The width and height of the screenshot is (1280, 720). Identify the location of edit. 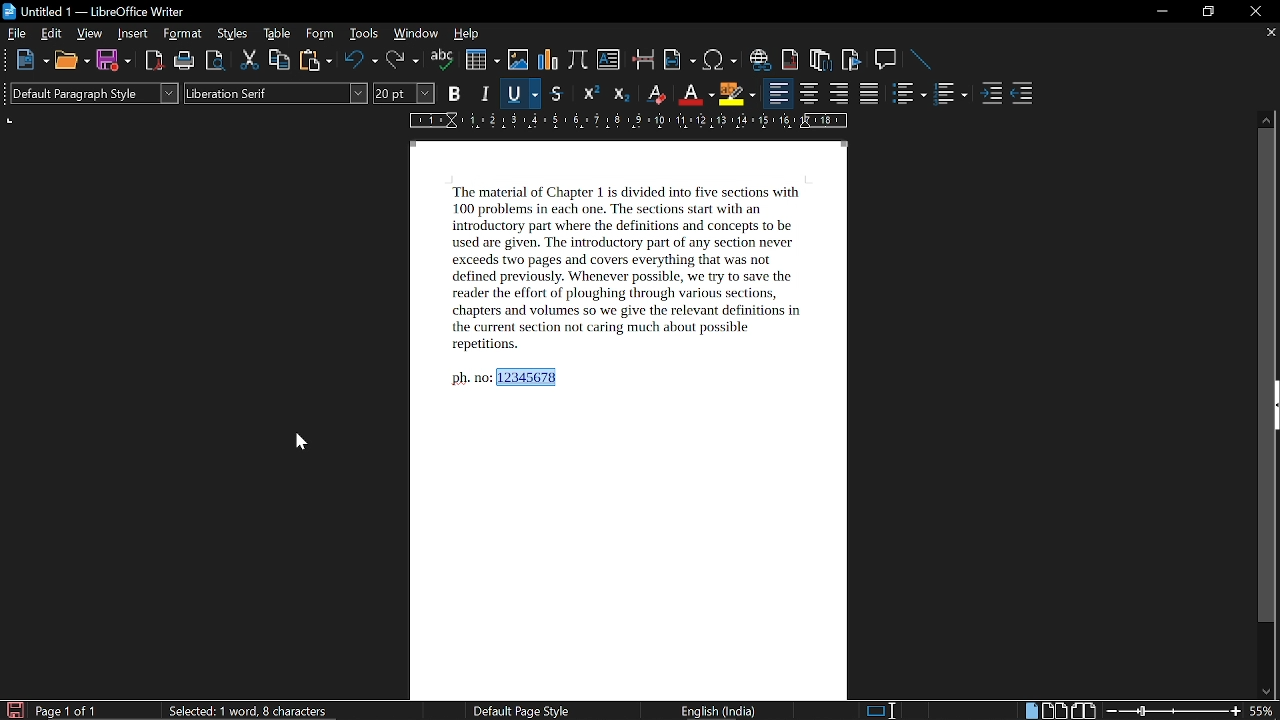
(52, 35).